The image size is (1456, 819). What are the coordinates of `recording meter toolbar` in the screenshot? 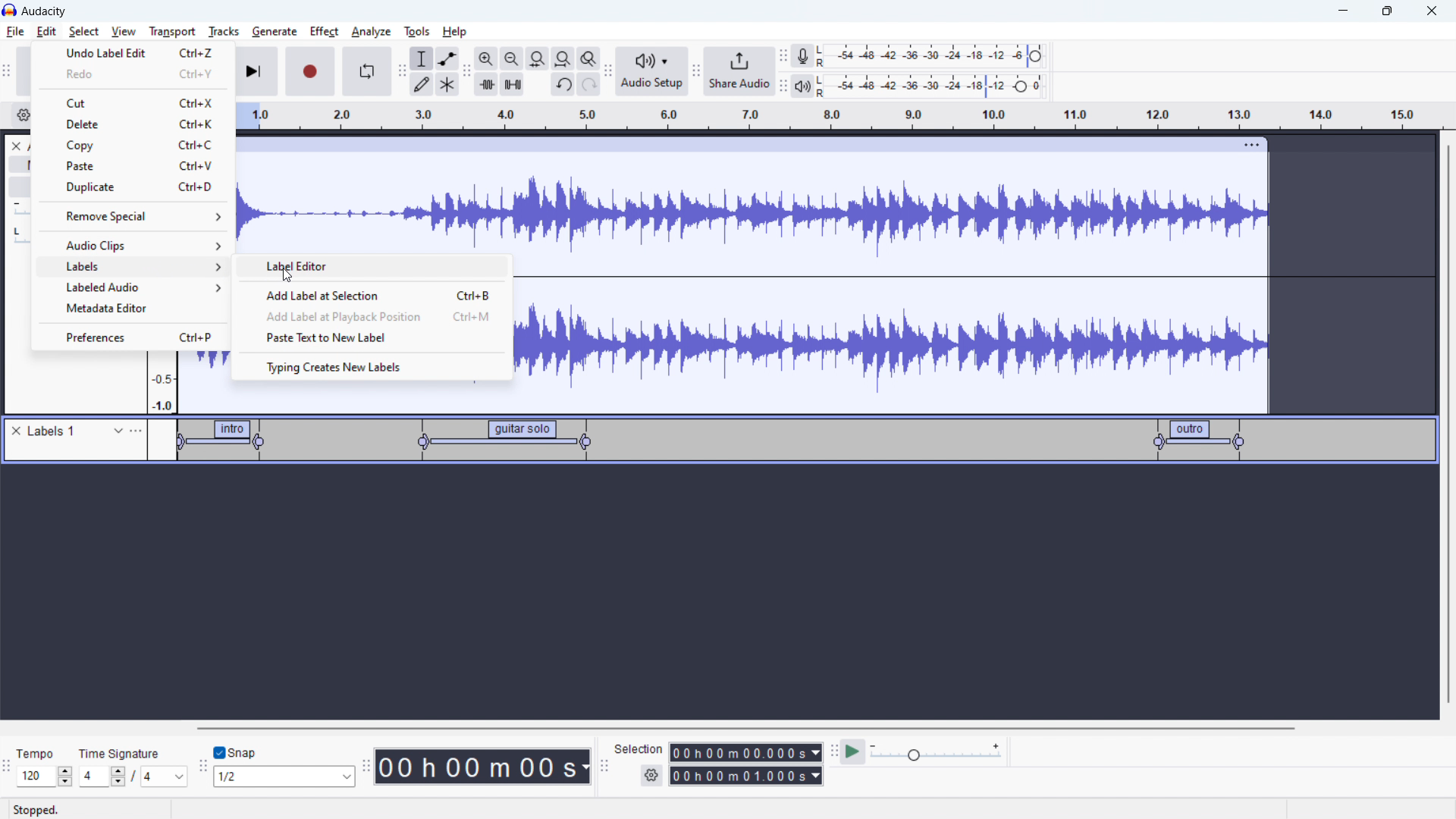 It's located at (783, 58).